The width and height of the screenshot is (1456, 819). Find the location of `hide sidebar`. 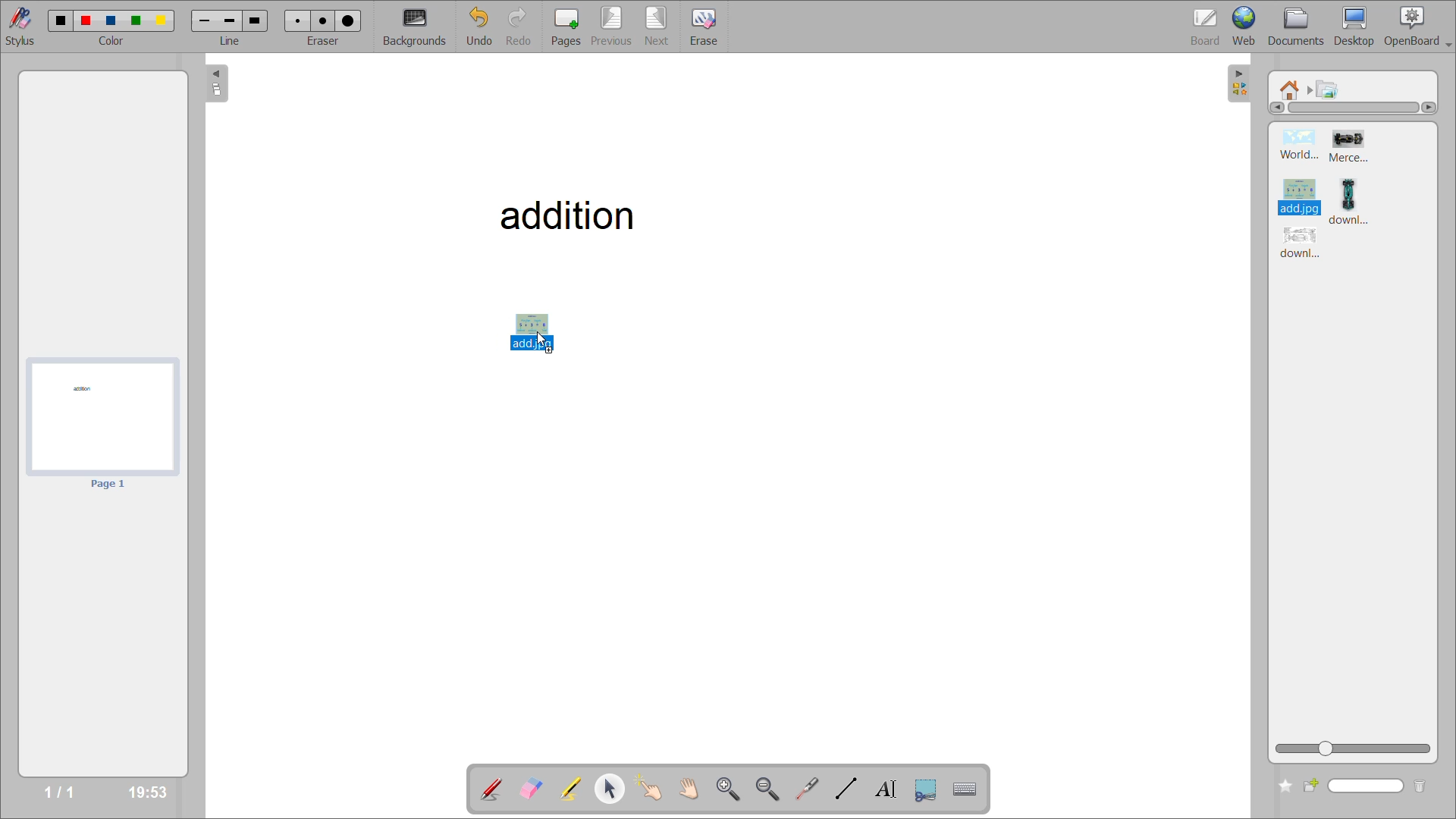

hide sidebar is located at coordinates (1240, 85).